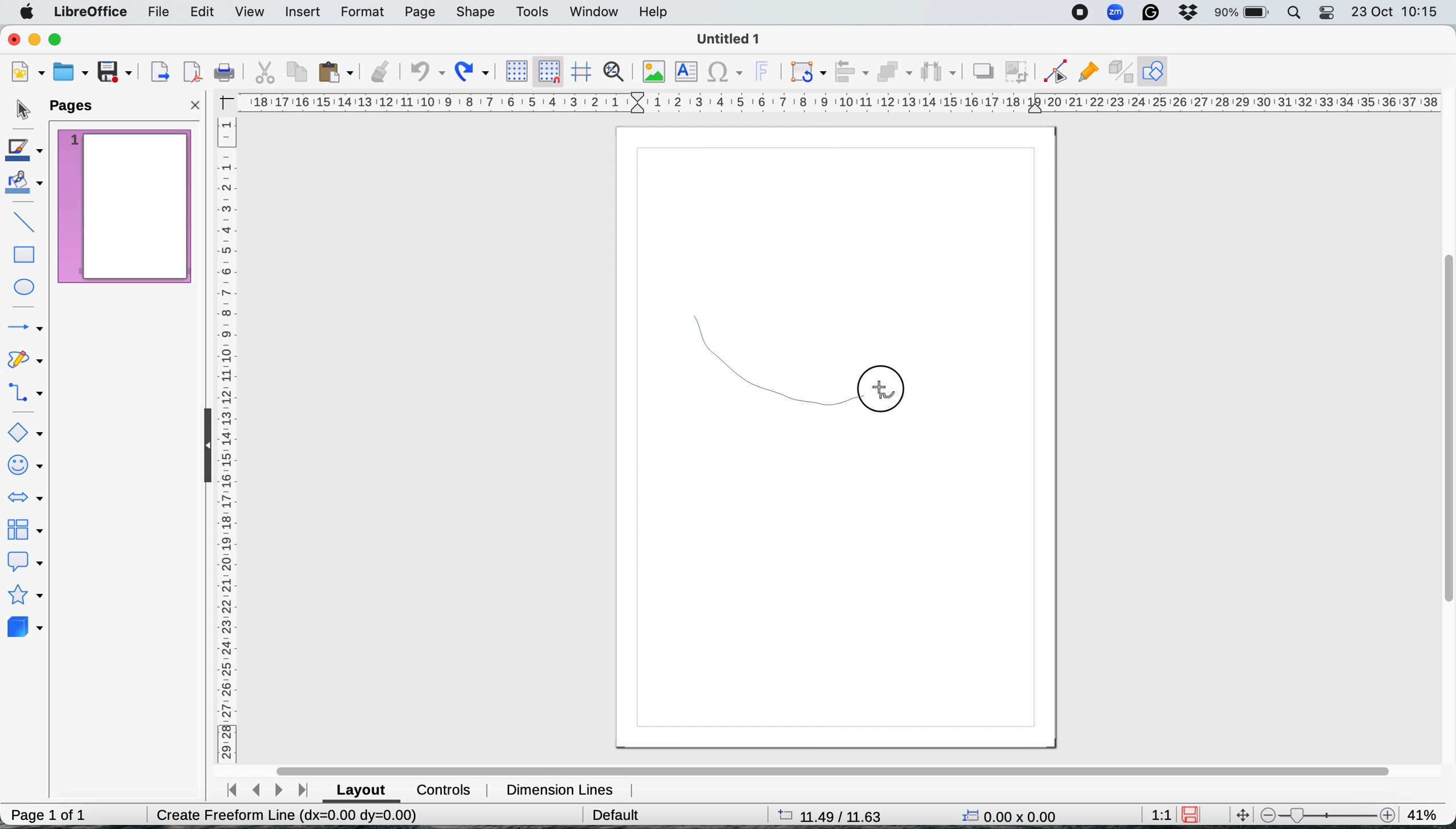 This screenshot has height=829, width=1456. I want to click on move, so click(1244, 815).